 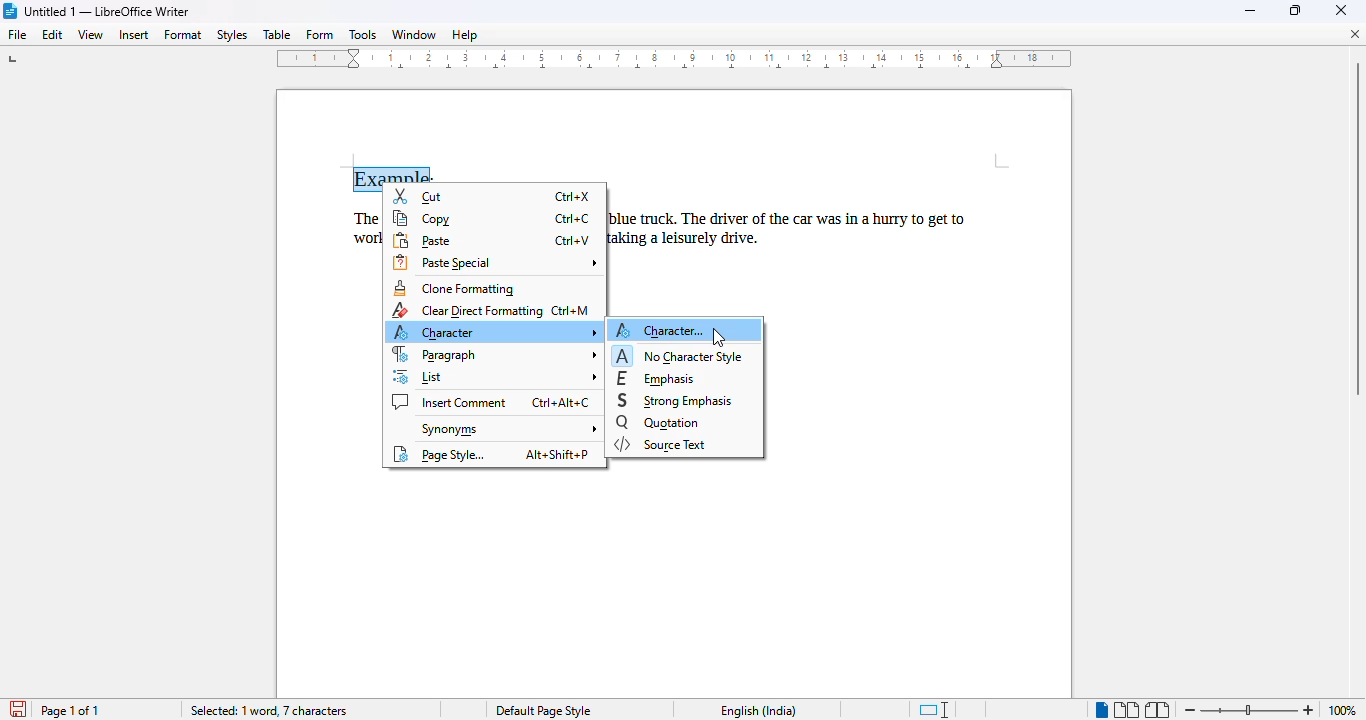 What do you see at coordinates (133, 35) in the screenshot?
I see `insert` at bounding box center [133, 35].